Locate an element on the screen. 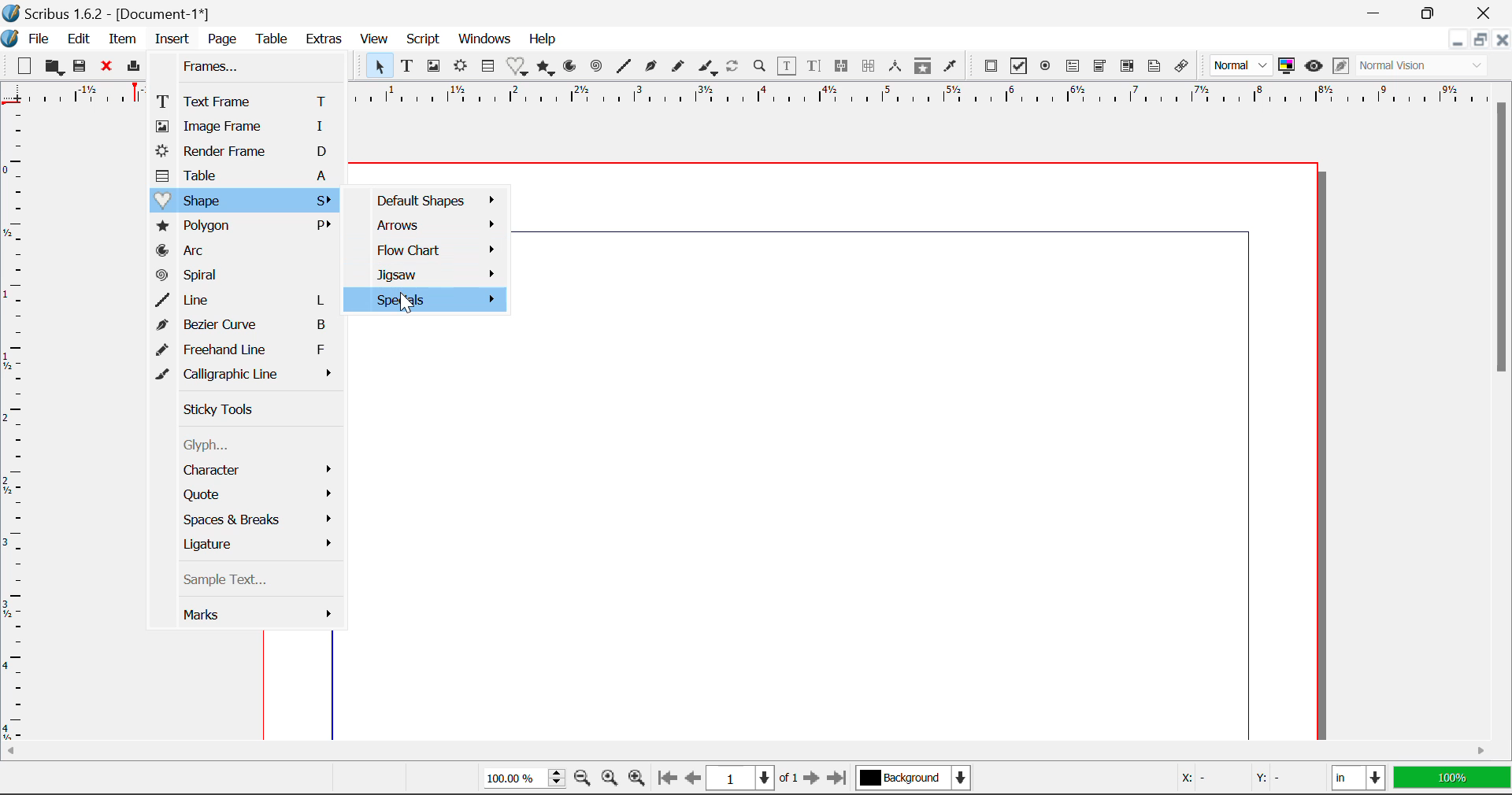 The height and width of the screenshot is (795, 1512). Minimize is located at coordinates (1482, 42).